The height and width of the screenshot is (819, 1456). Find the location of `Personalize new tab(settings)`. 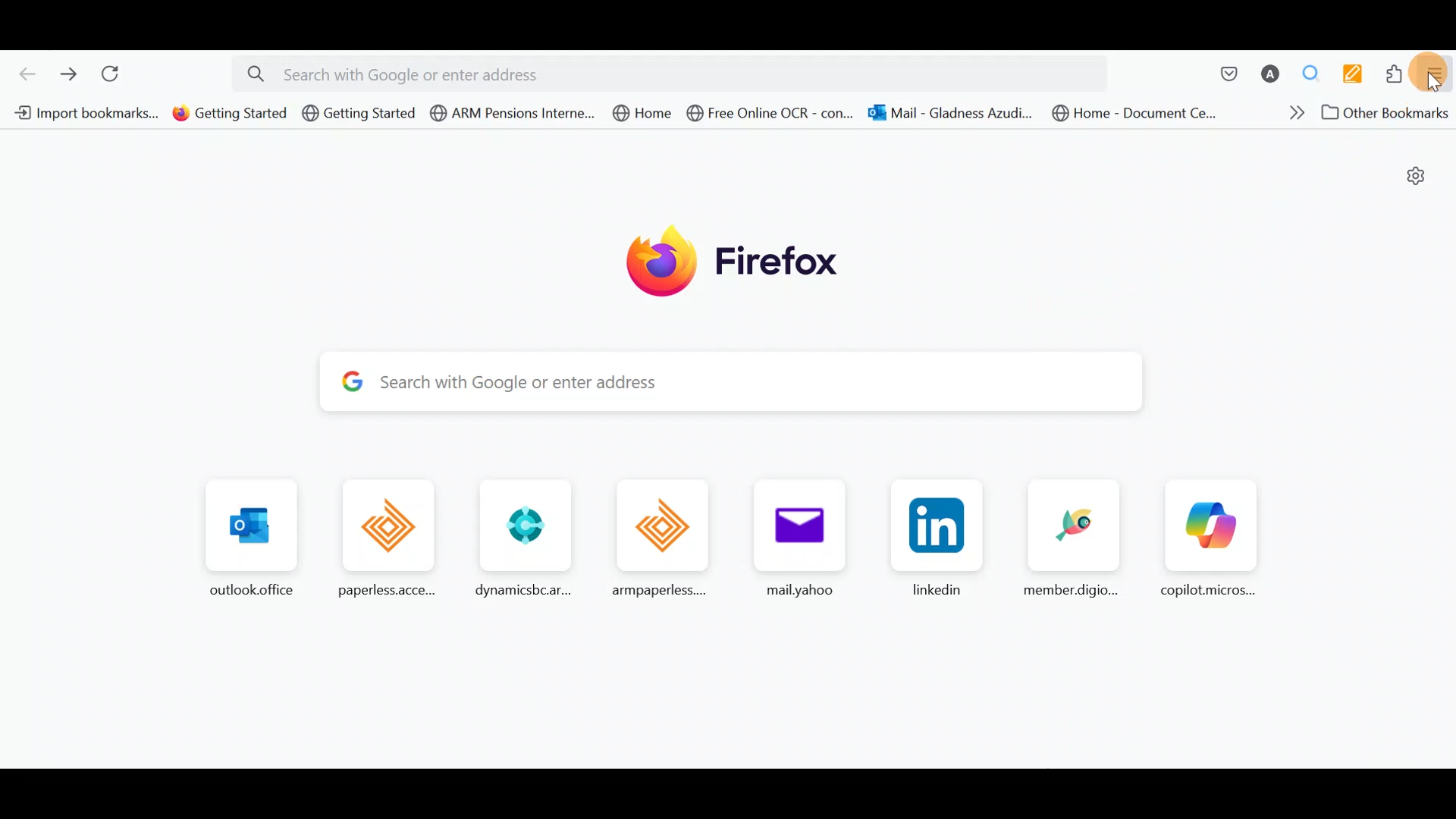

Personalize new tab(settings) is located at coordinates (1414, 175).